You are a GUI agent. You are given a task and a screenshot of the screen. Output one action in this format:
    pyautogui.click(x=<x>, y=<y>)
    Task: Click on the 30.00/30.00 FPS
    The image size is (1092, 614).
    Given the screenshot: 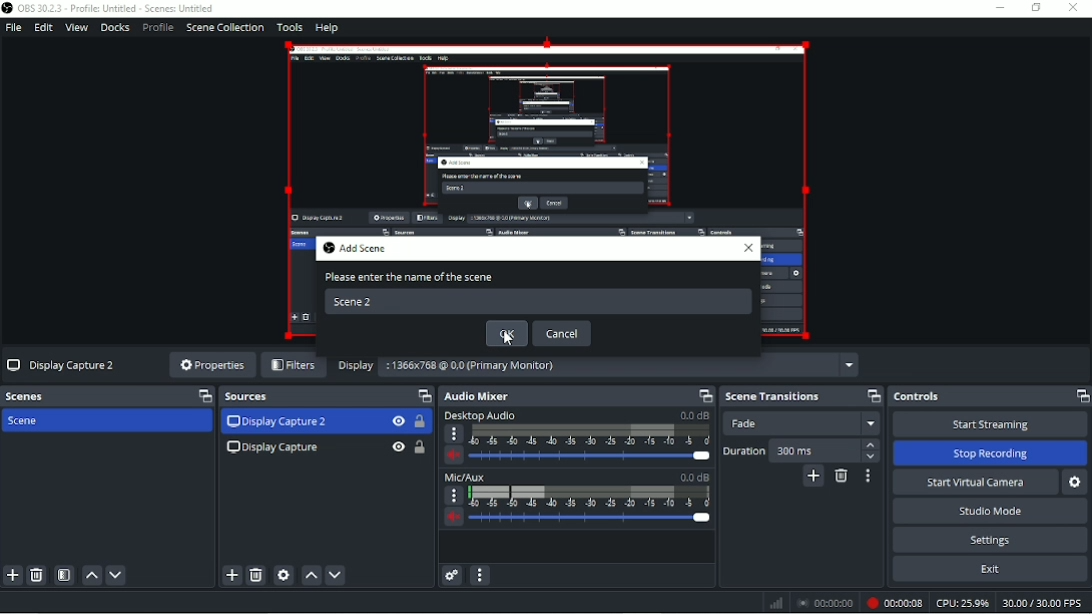 What is the action you would take?
    pyautogui.click(x=1044, y=604)
    